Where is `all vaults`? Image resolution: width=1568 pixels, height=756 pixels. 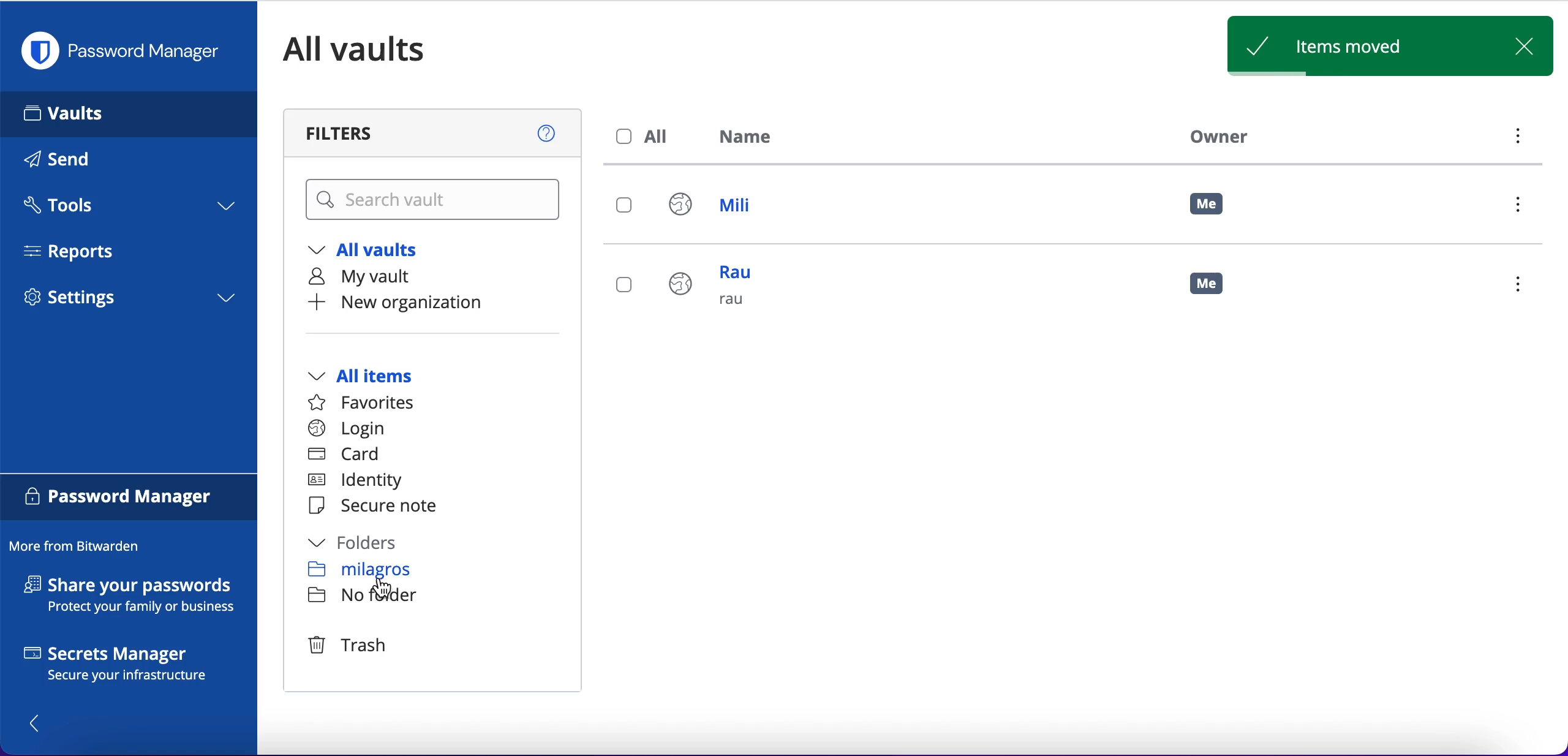
all vaults is located at coordinates (372, 49).